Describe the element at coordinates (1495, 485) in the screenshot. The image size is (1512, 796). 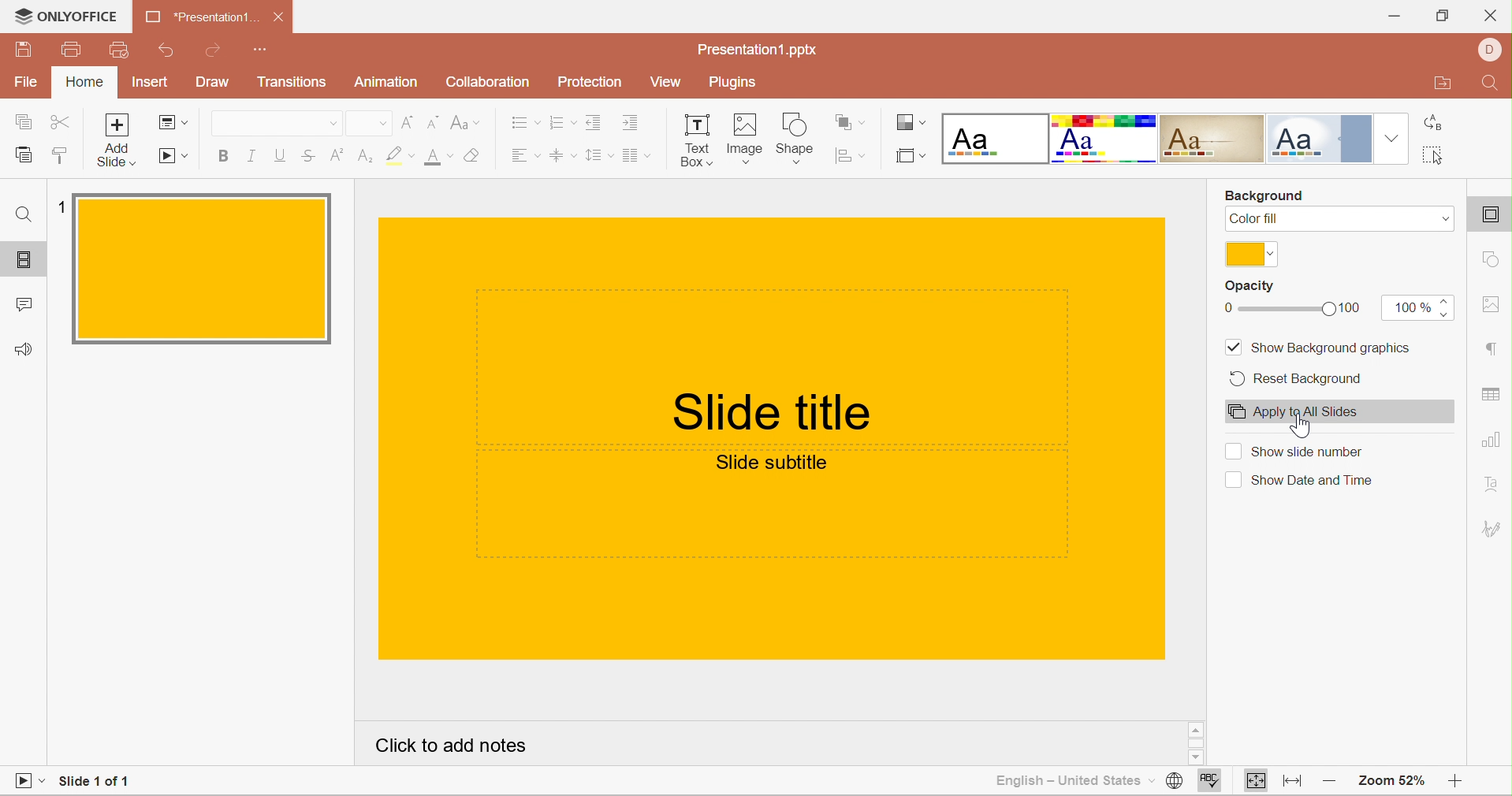
I see `Text Art settings` at that location.